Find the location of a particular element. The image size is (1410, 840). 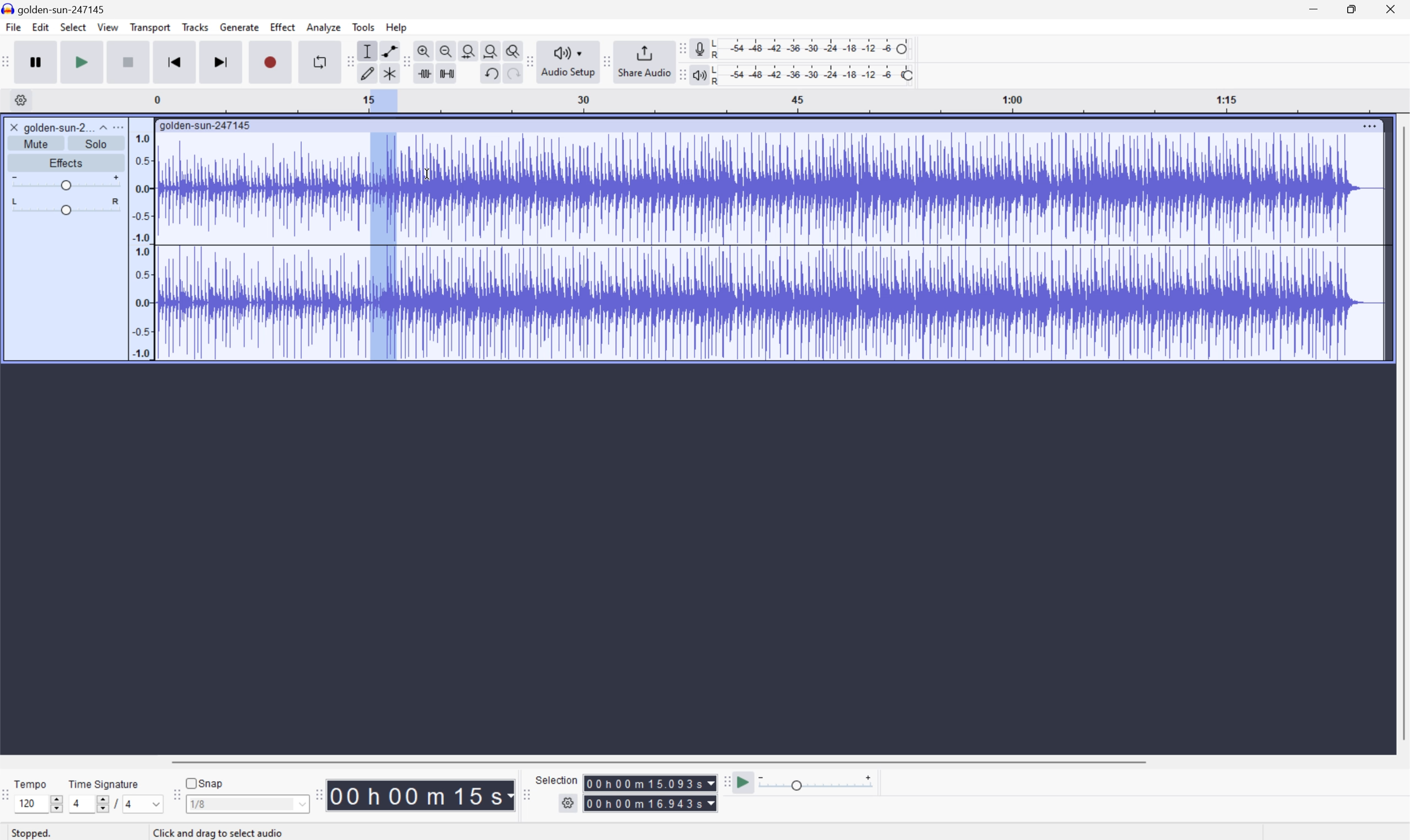

Scale is located at coordinates (782, 101).